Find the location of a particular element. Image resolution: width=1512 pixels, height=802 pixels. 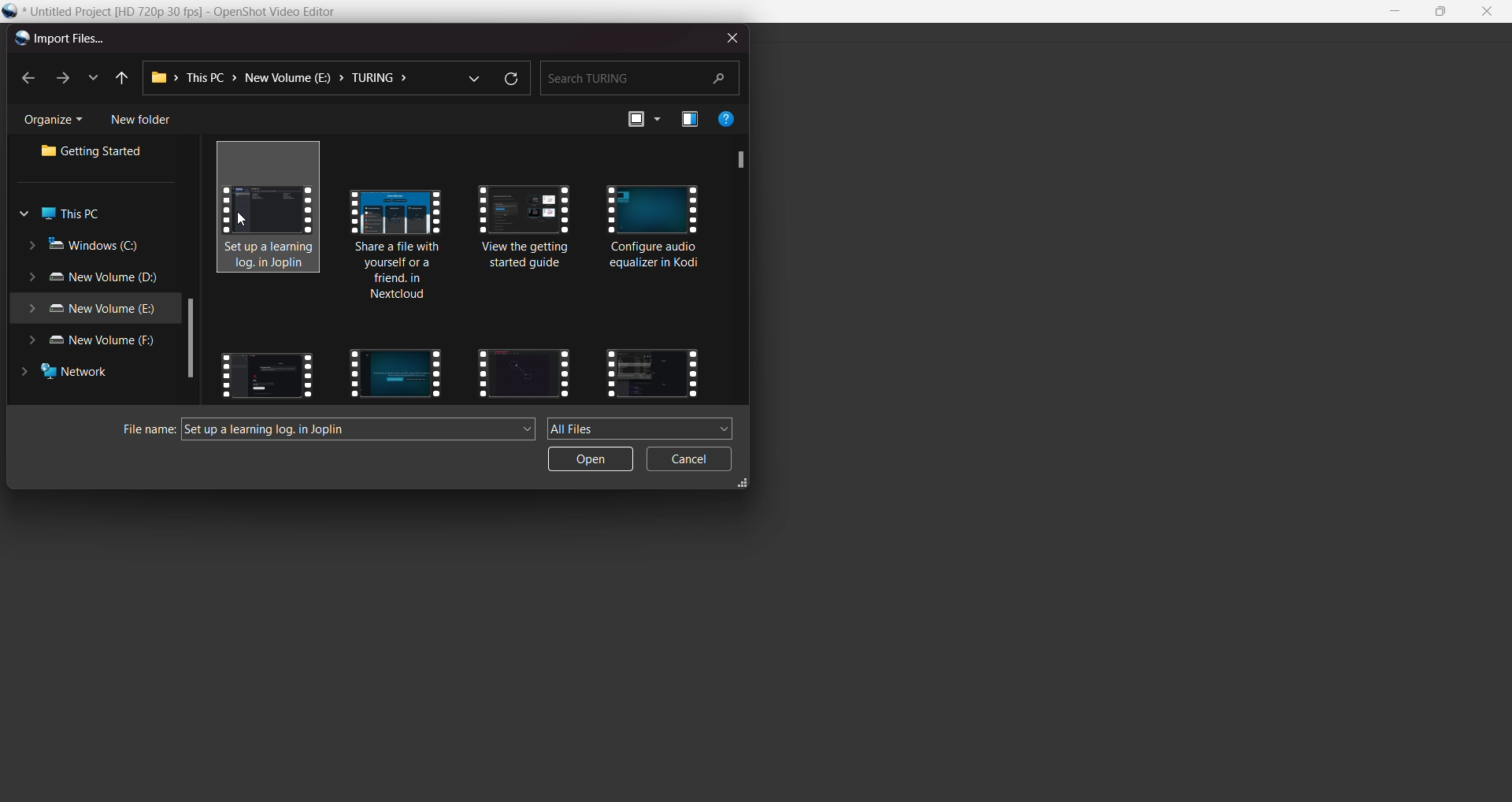

videos is located at coordinates (391, 371).